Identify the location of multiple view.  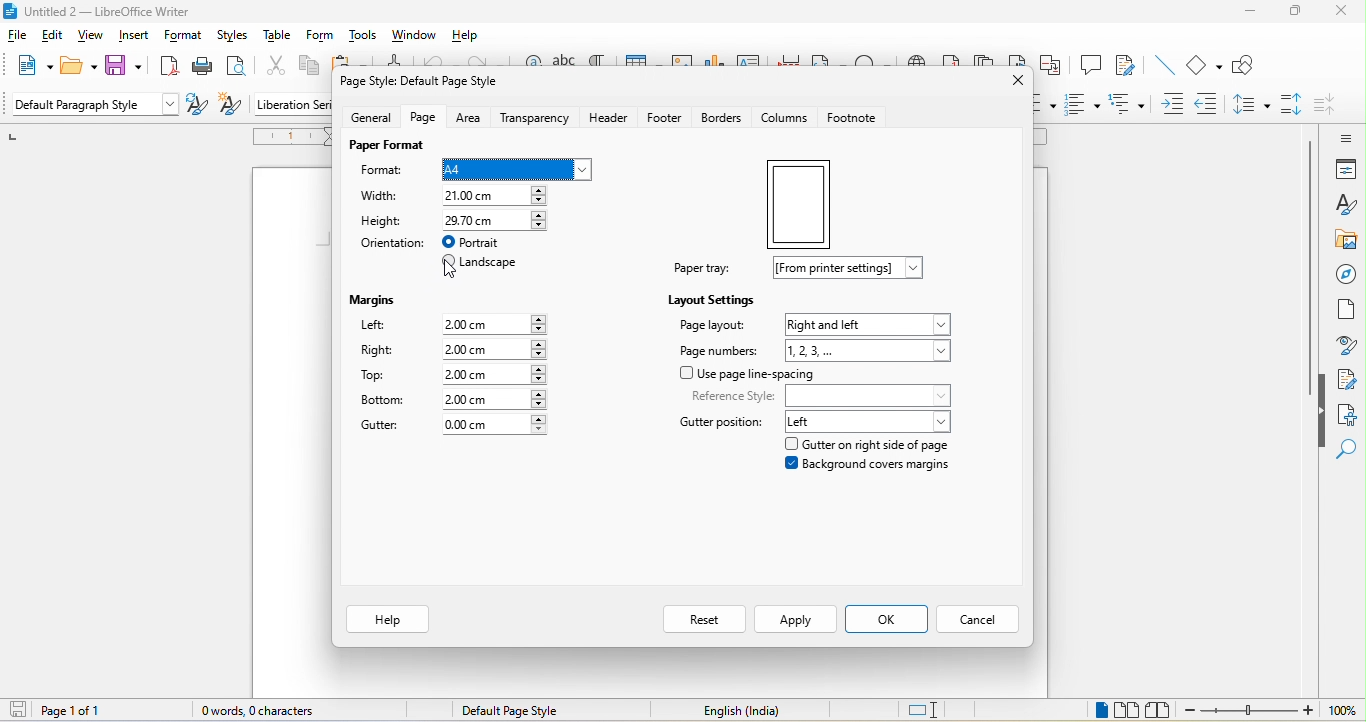
(1131, 710).